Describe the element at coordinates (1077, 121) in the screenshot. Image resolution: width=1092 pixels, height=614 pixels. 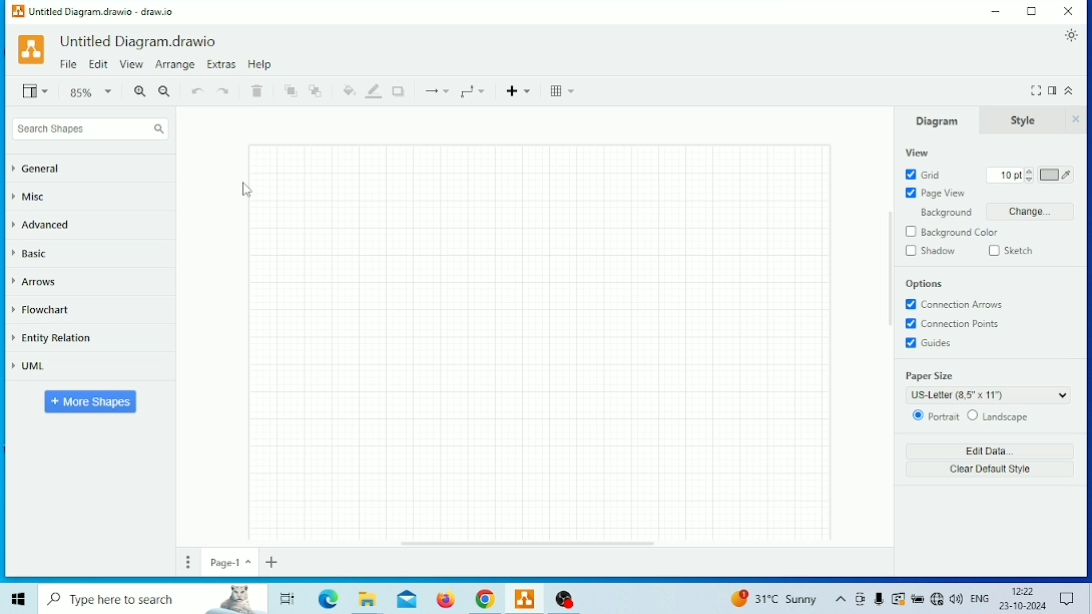
I see `Hide` at that location.